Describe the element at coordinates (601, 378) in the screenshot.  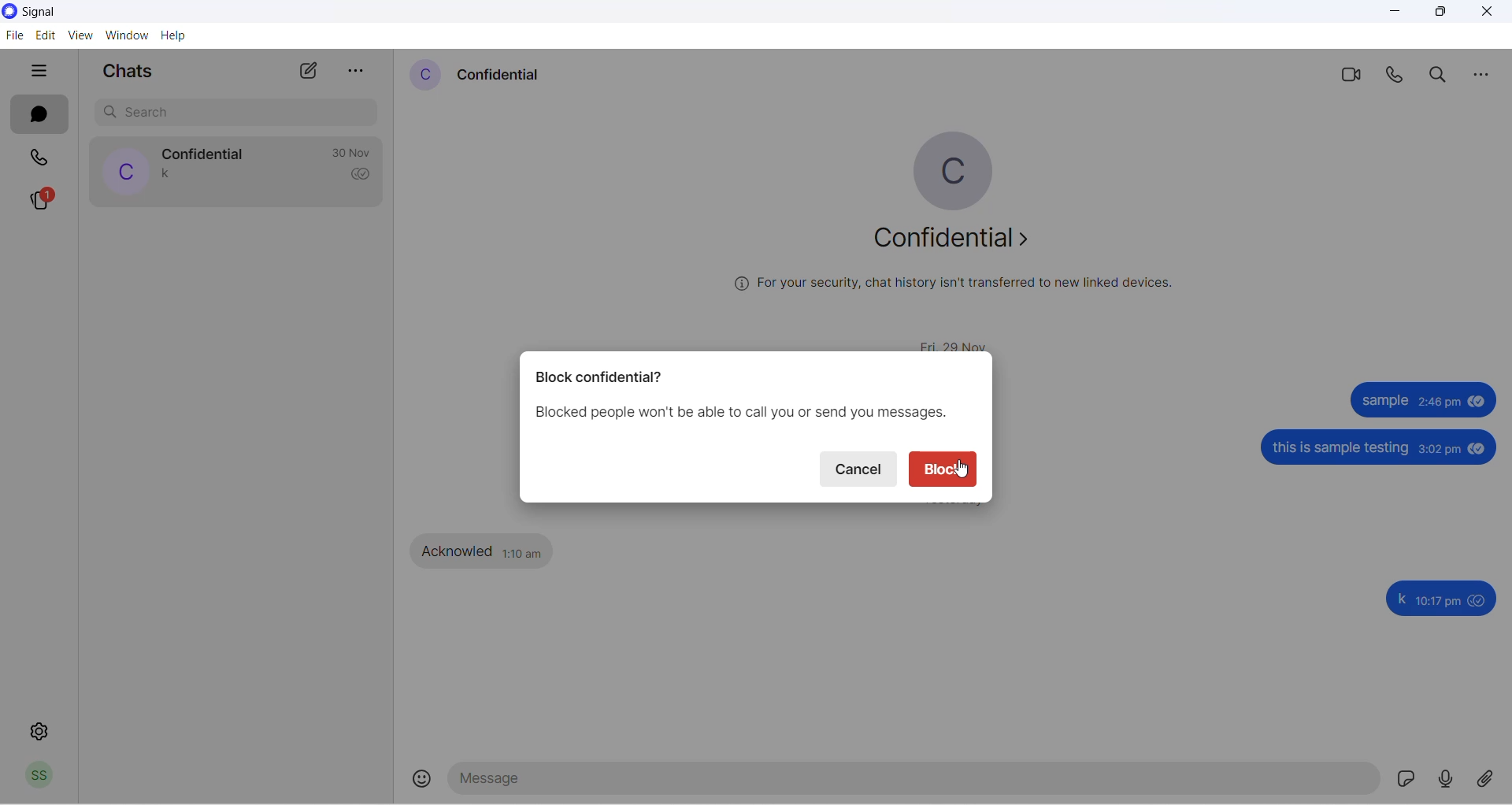
I see `Block confidential?` at that location.